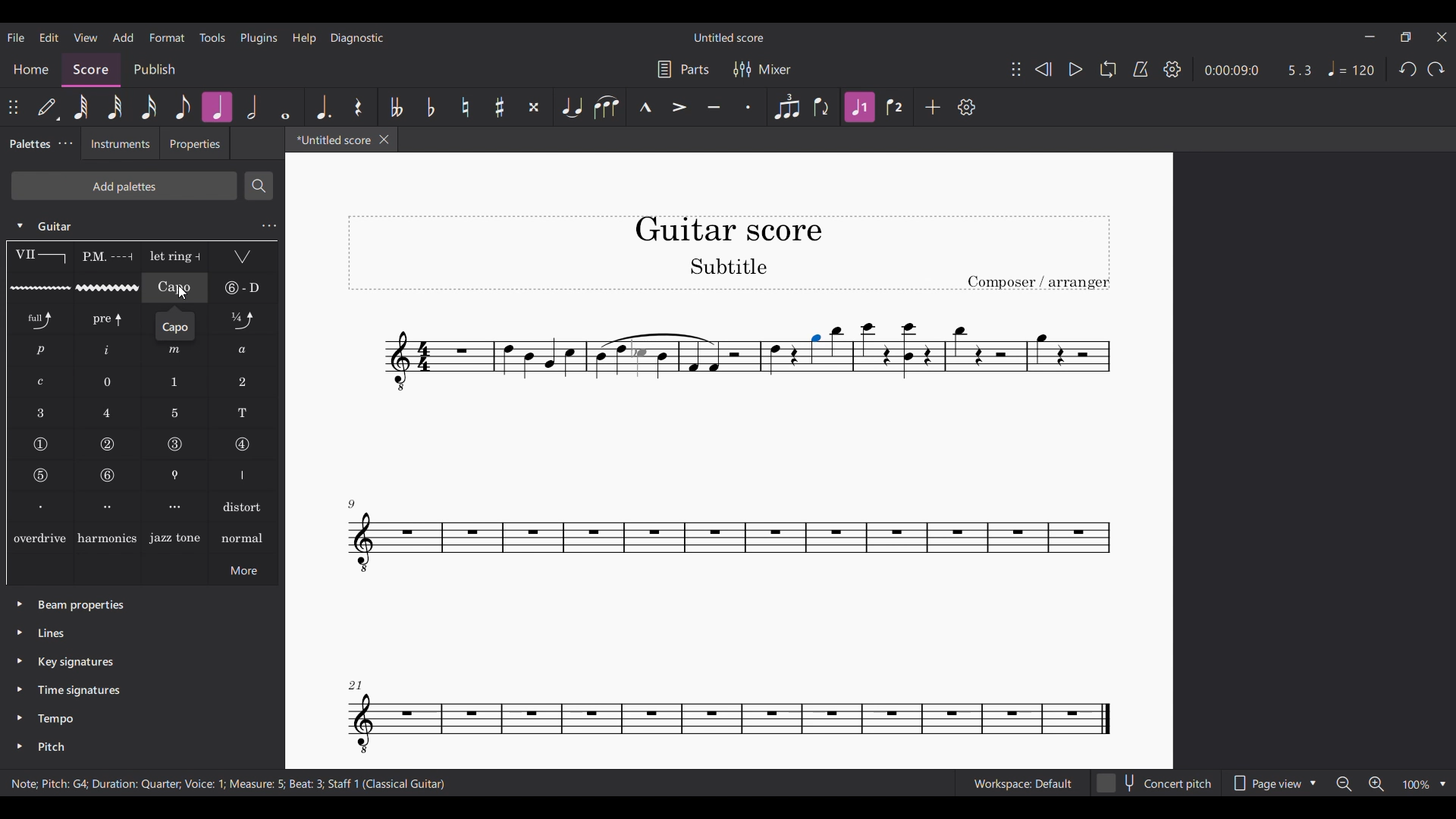 The width and height of the screenshot is (1456, 819). What do you see at coordinates (728, 38) in the screenshot?
I see `Score title` at bounding box center [728, 38].